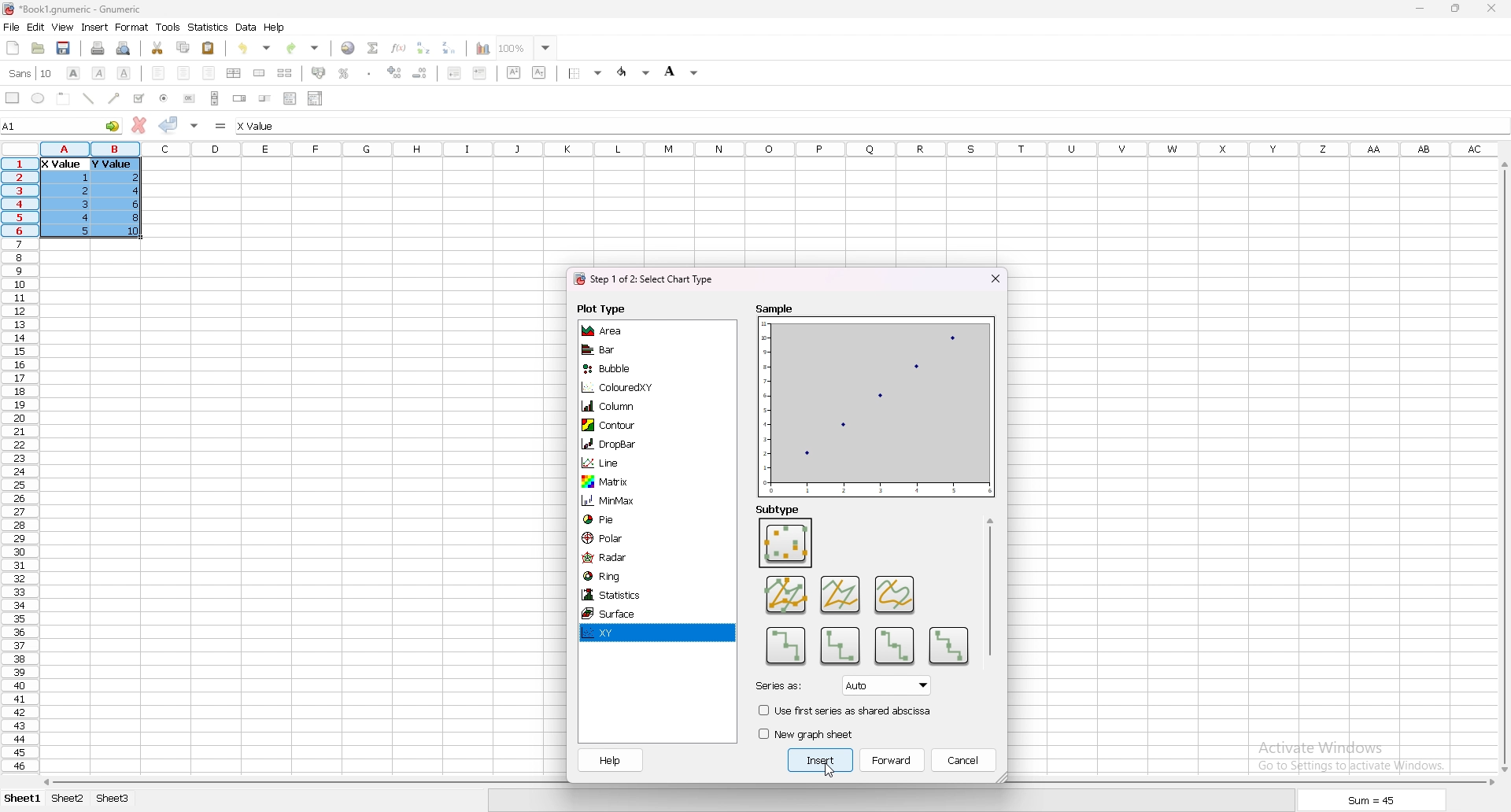 The image size is (1511, 812). I want to click on foreground, so click(635, 72).